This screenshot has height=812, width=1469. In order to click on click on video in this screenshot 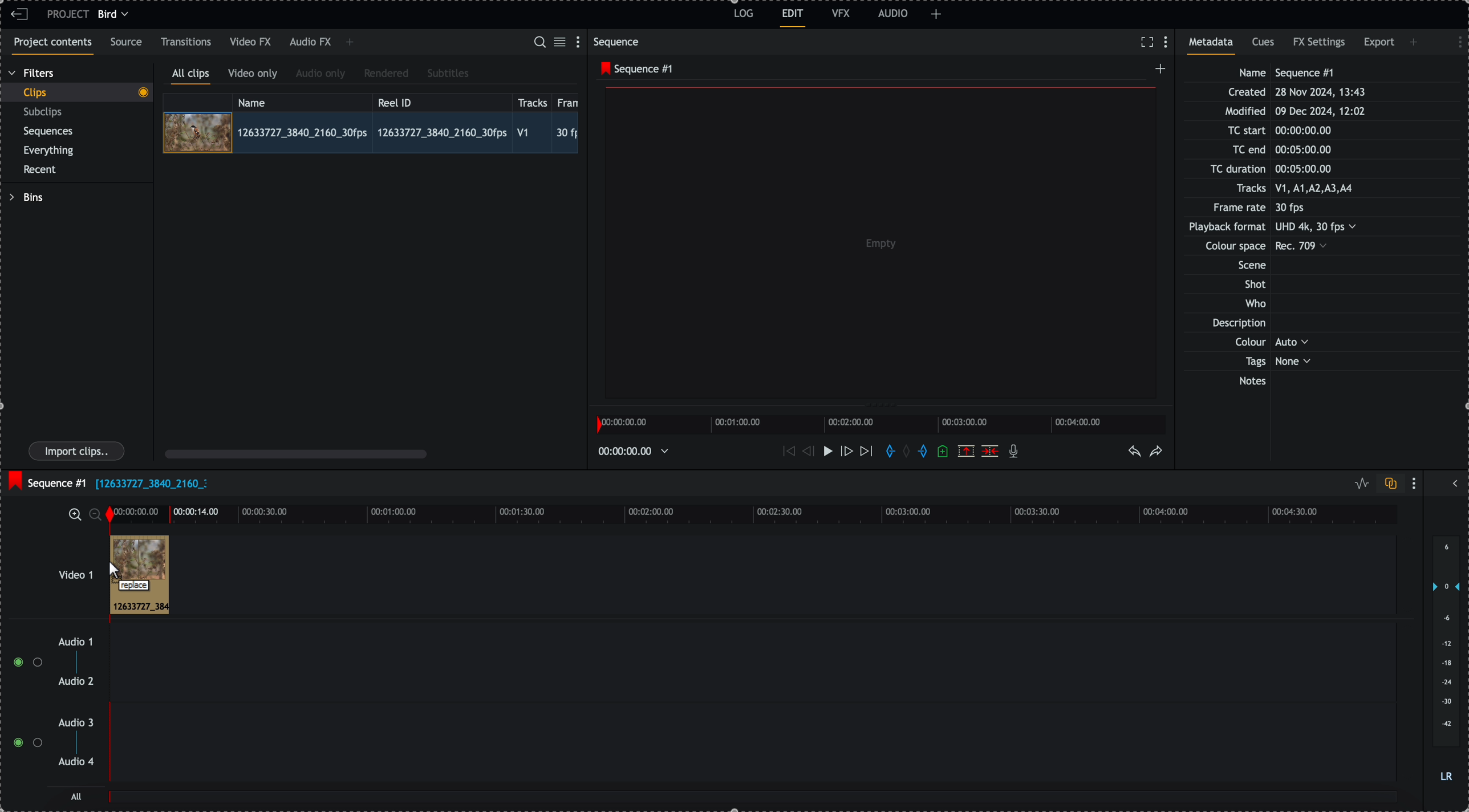, I will do `click(371, 132)`.